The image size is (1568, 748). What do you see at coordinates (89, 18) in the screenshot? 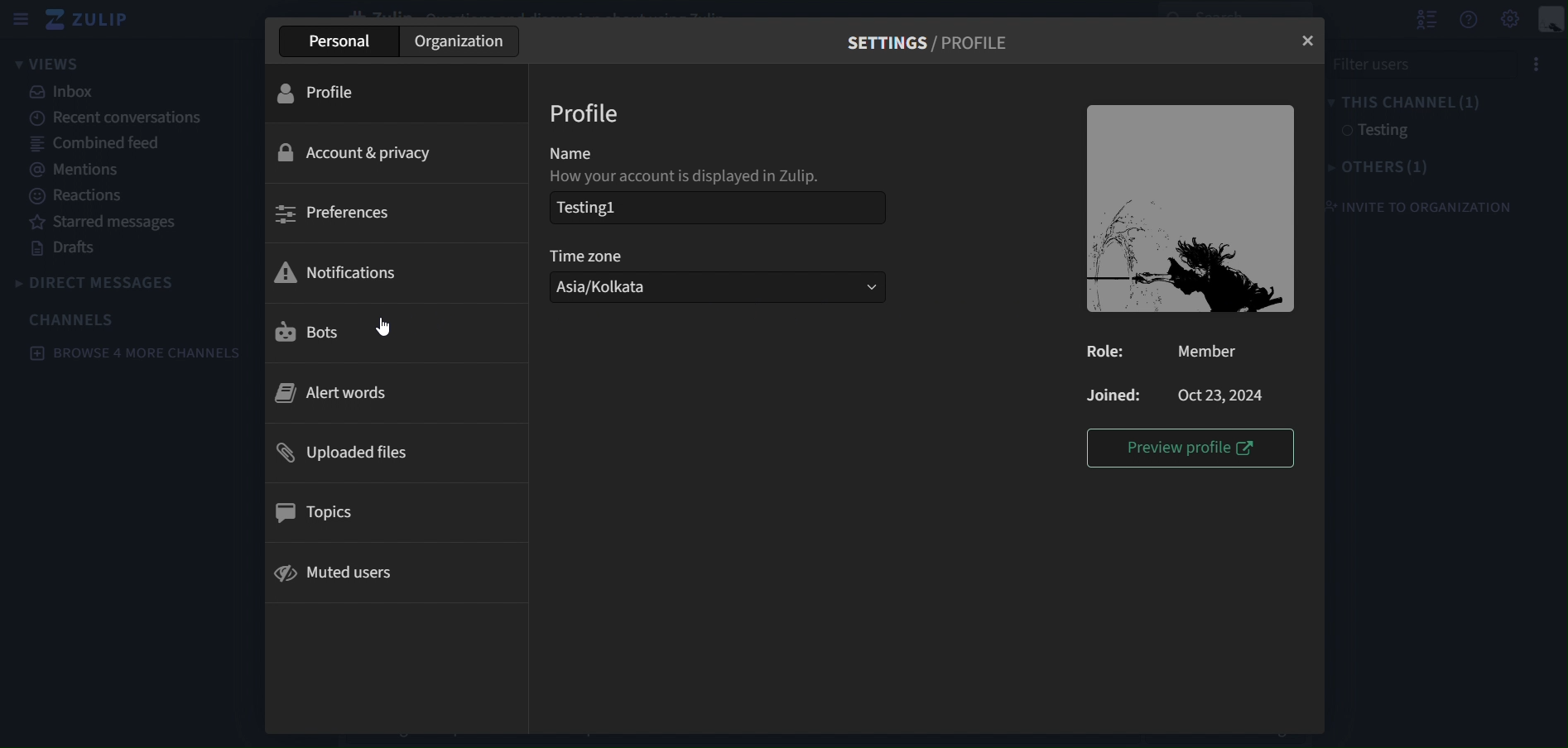
I see `zulip` at bounding box center [89, 18].